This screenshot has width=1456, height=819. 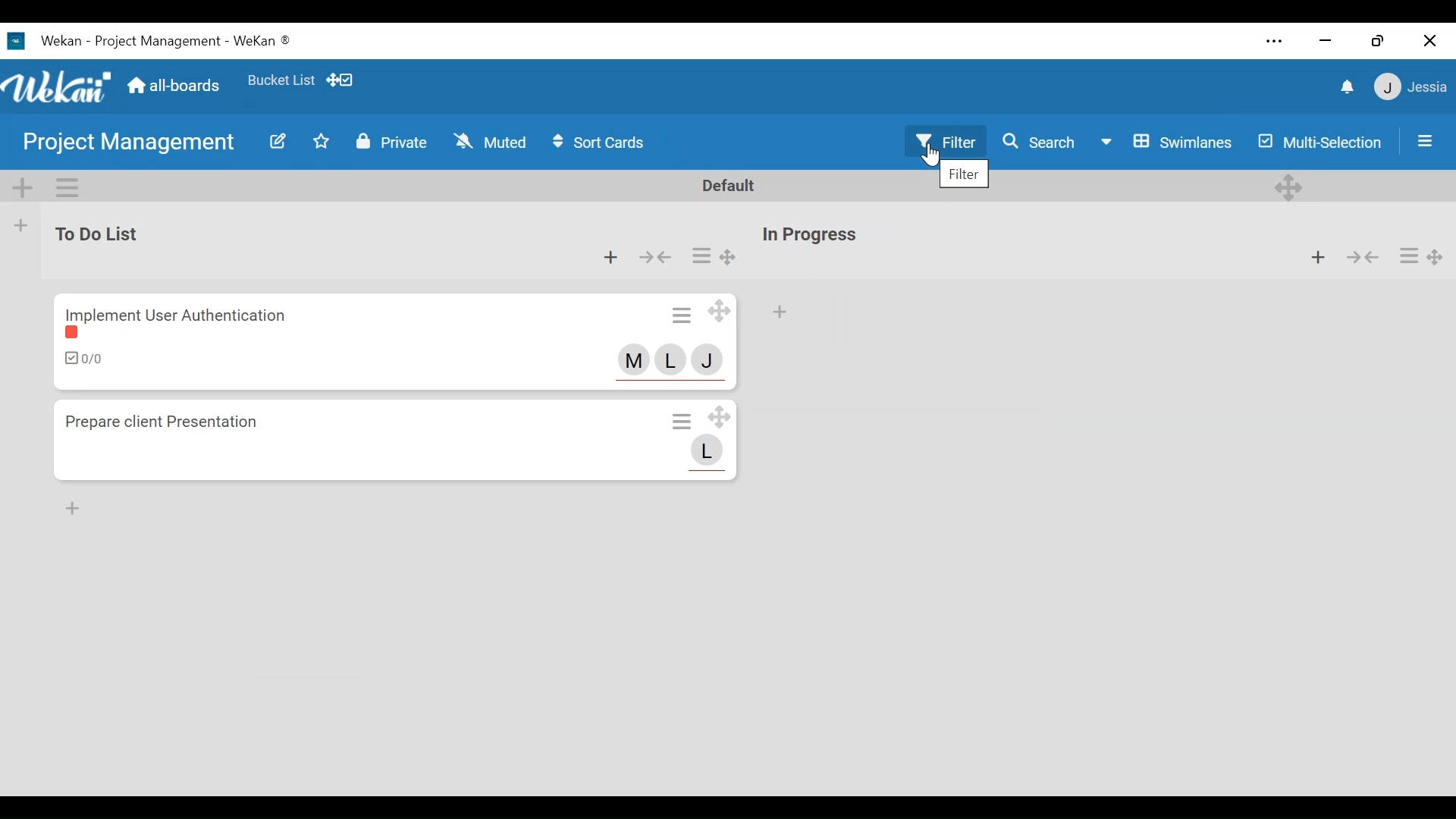 I want to click on collapse, so click(x=655, y=258).